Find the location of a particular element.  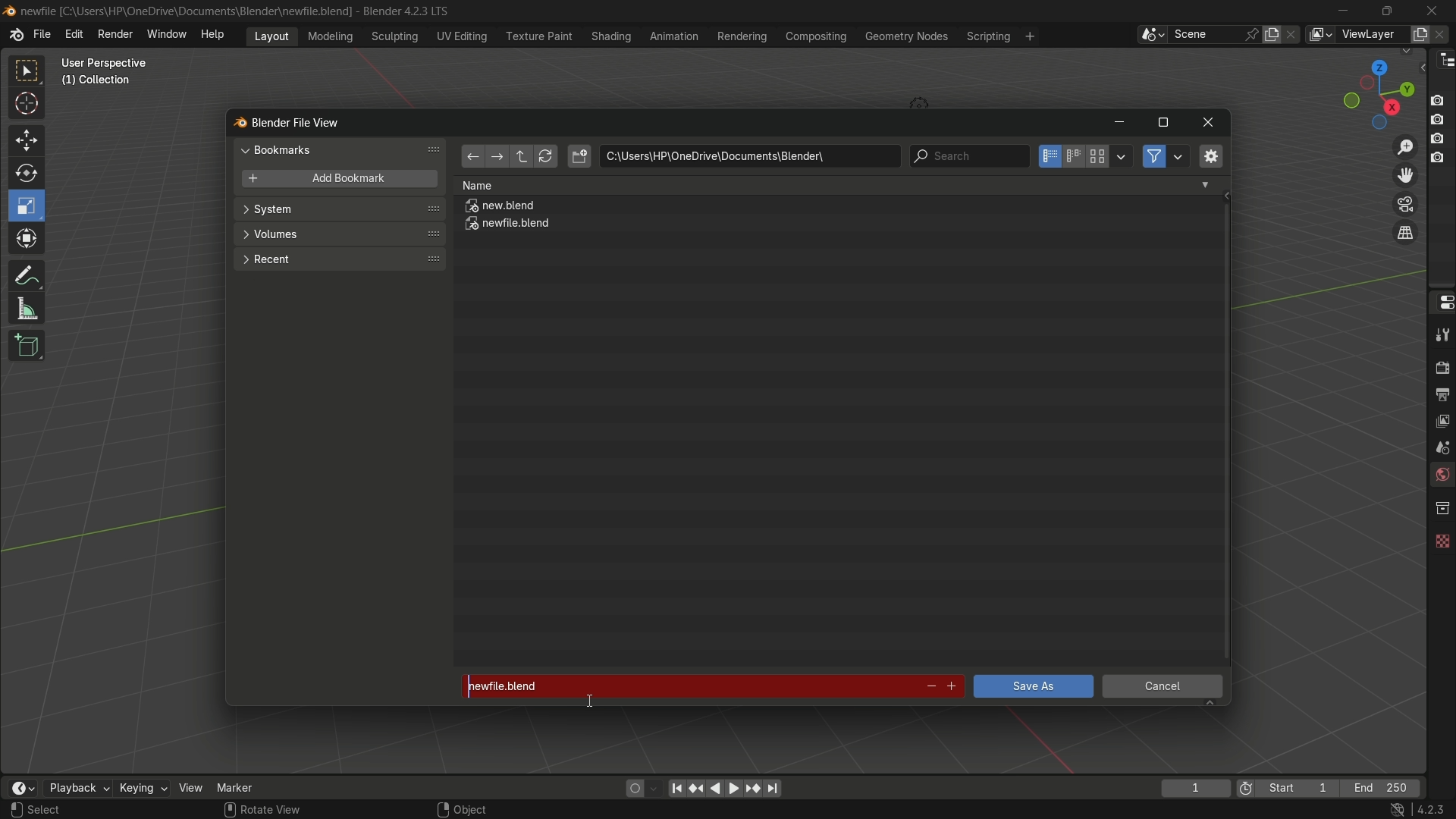

cursor is located at coordinates (27, 106).